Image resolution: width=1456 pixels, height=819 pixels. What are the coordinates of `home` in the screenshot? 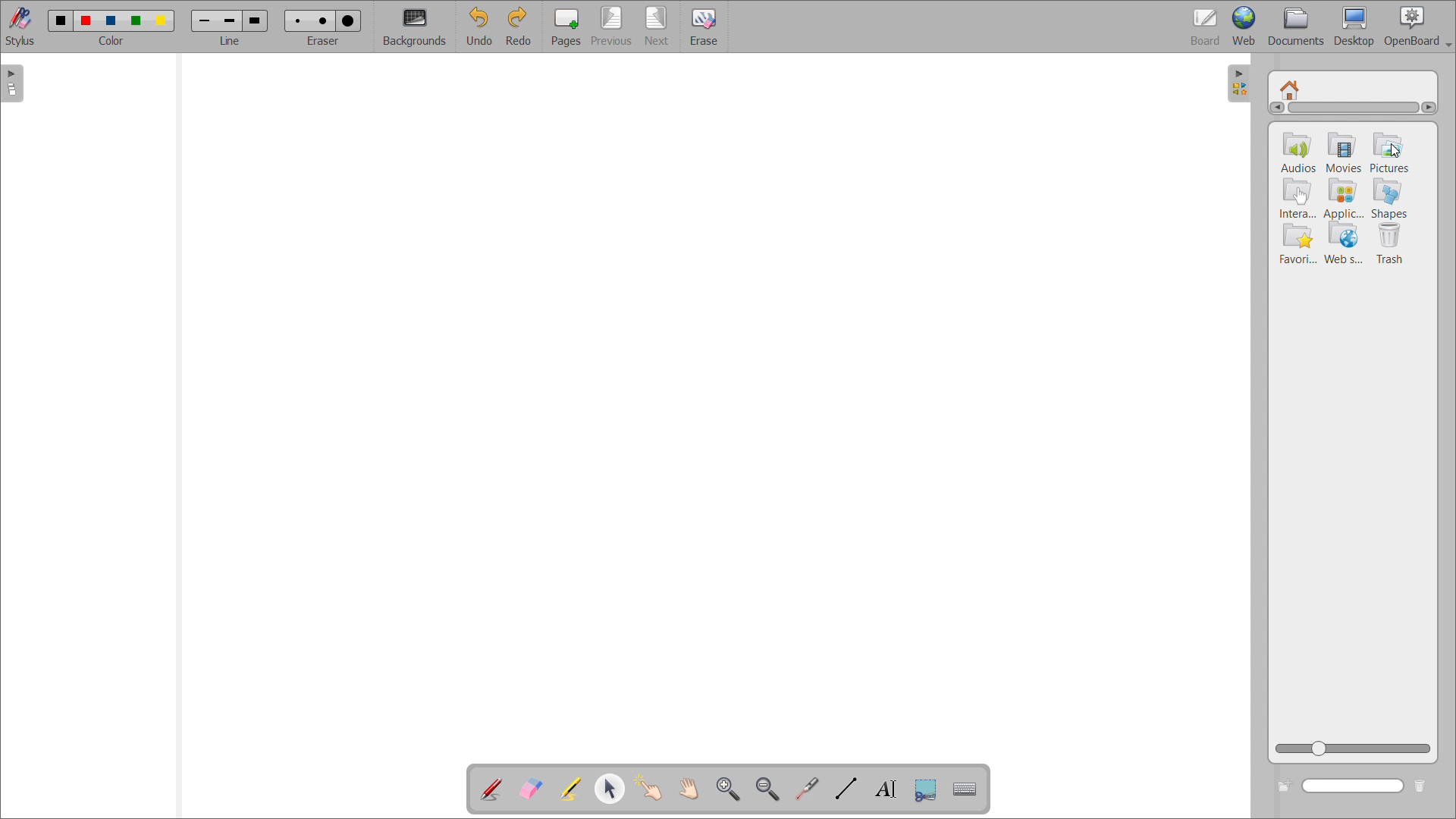 It's located at (1290, 89).